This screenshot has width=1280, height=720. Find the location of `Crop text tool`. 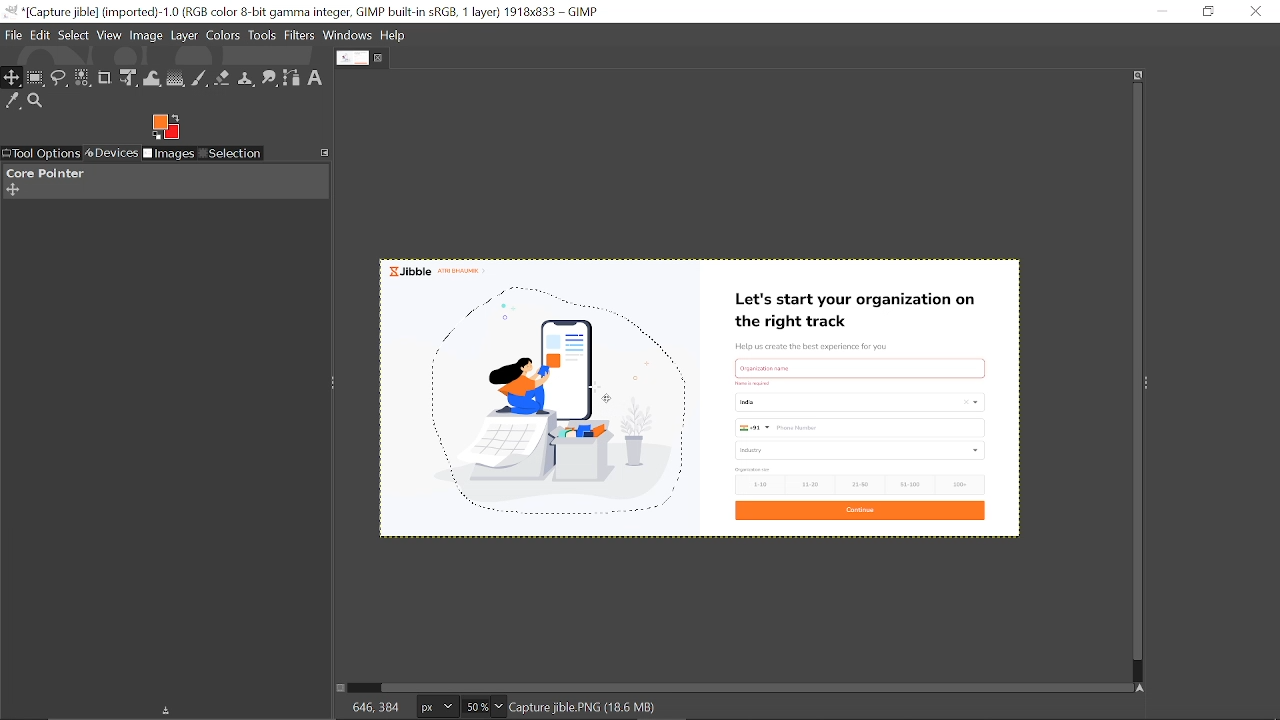

Crop text tool is located at coordinates (105, 78).